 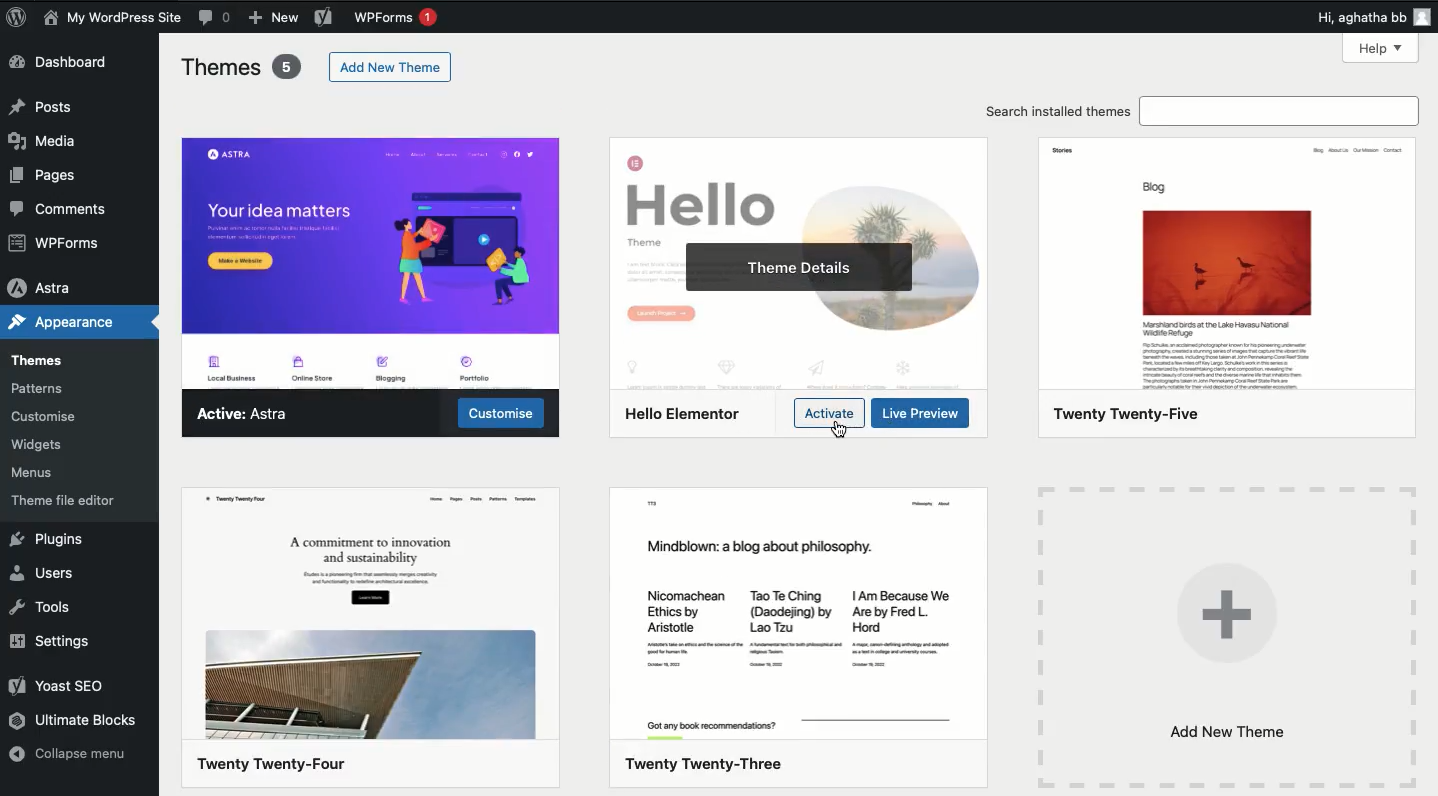 I want to click on WPForms, so click(x=53, y=242).